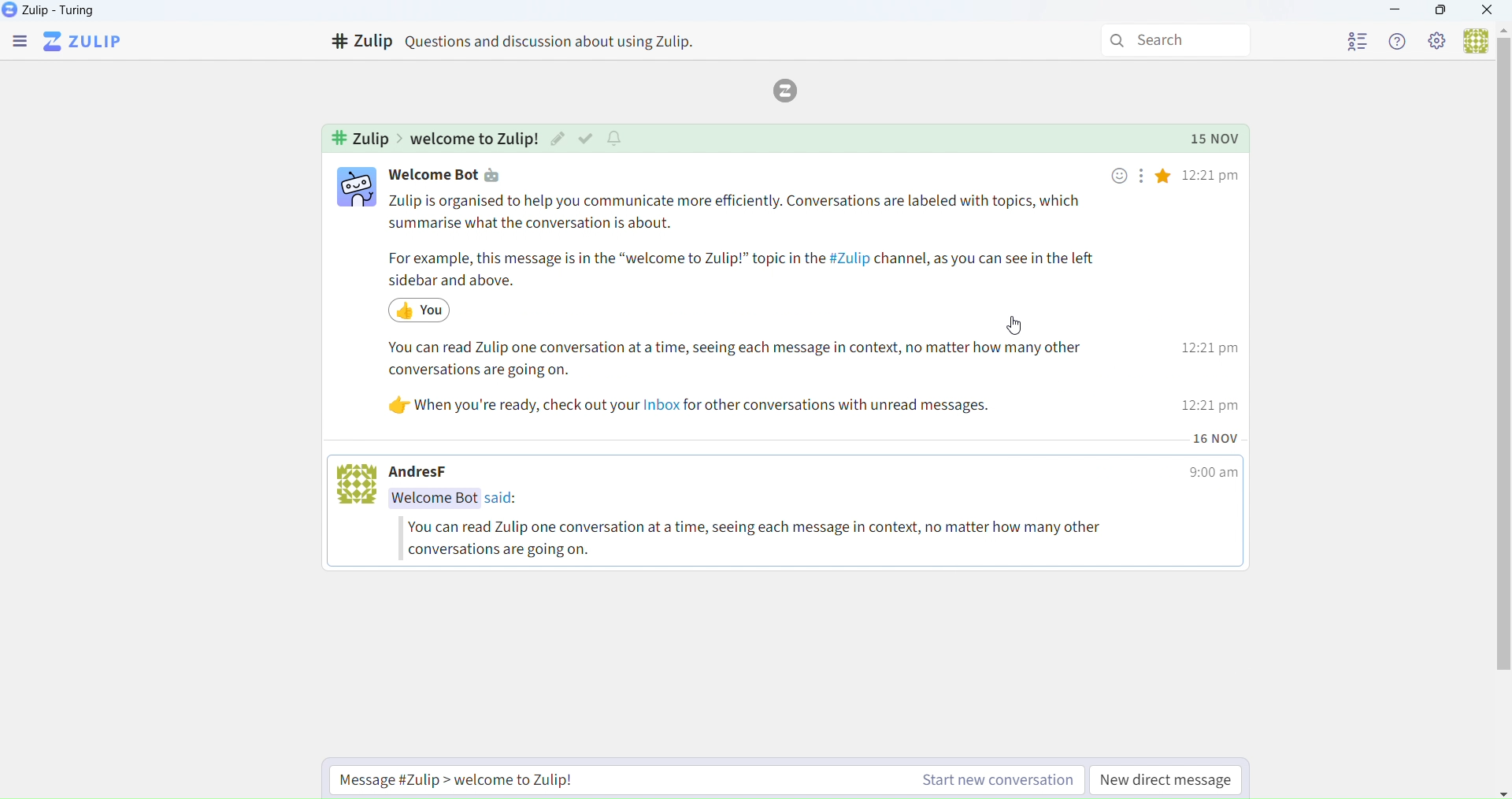 The height and width of the screenshot is (799, 1512). What do you see at coordinates (431, 138) in the screenshot?
I see `4 Zulip > welcome to Zulip!` at bounding box center [431, 138].